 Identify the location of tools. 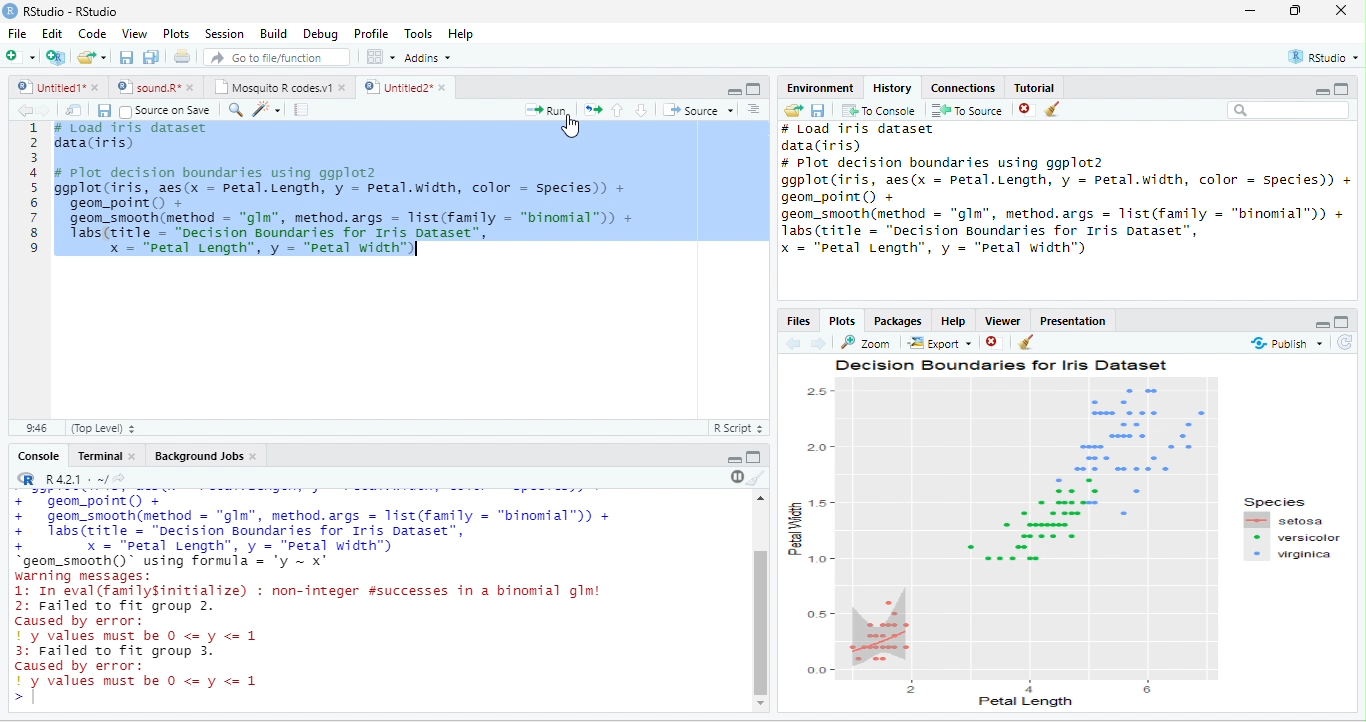
(265, 111).